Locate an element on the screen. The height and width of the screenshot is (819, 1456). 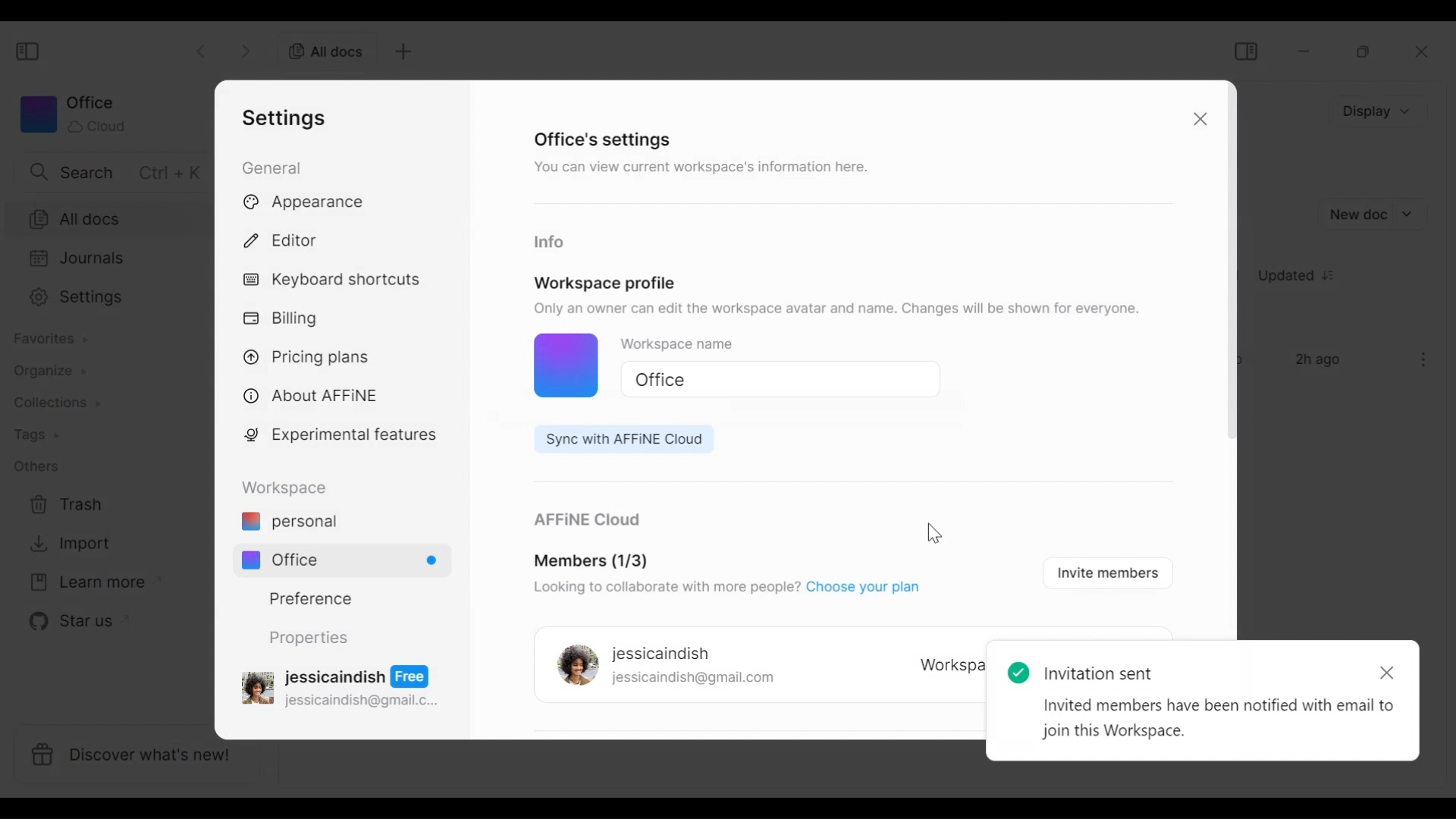
Import is located at coordinates (67, 544).